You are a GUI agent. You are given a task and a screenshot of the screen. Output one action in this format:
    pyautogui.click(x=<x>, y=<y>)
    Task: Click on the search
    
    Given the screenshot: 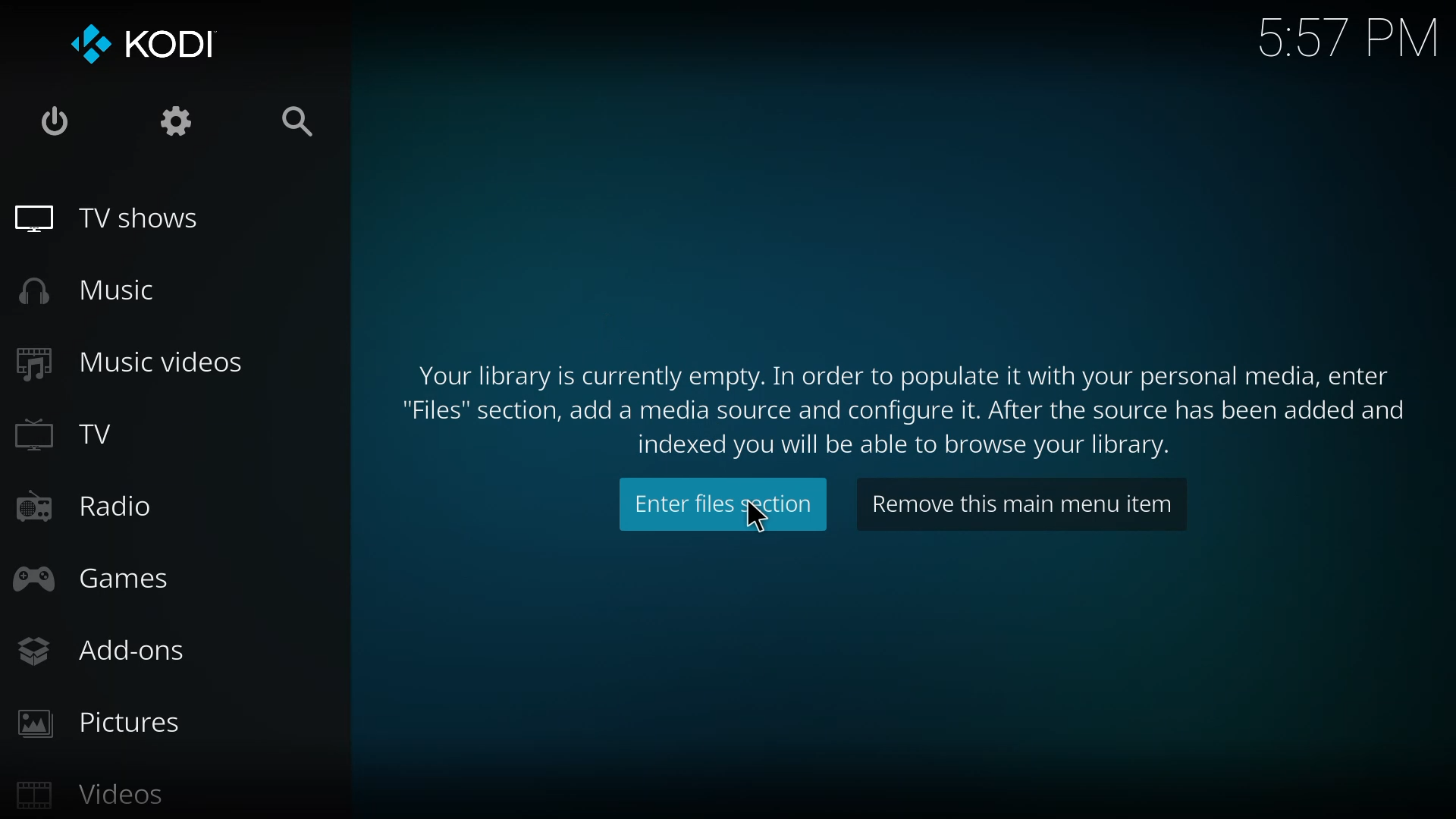 What is the action you would take?
    pyautogui.click(x=301, y=124)
    